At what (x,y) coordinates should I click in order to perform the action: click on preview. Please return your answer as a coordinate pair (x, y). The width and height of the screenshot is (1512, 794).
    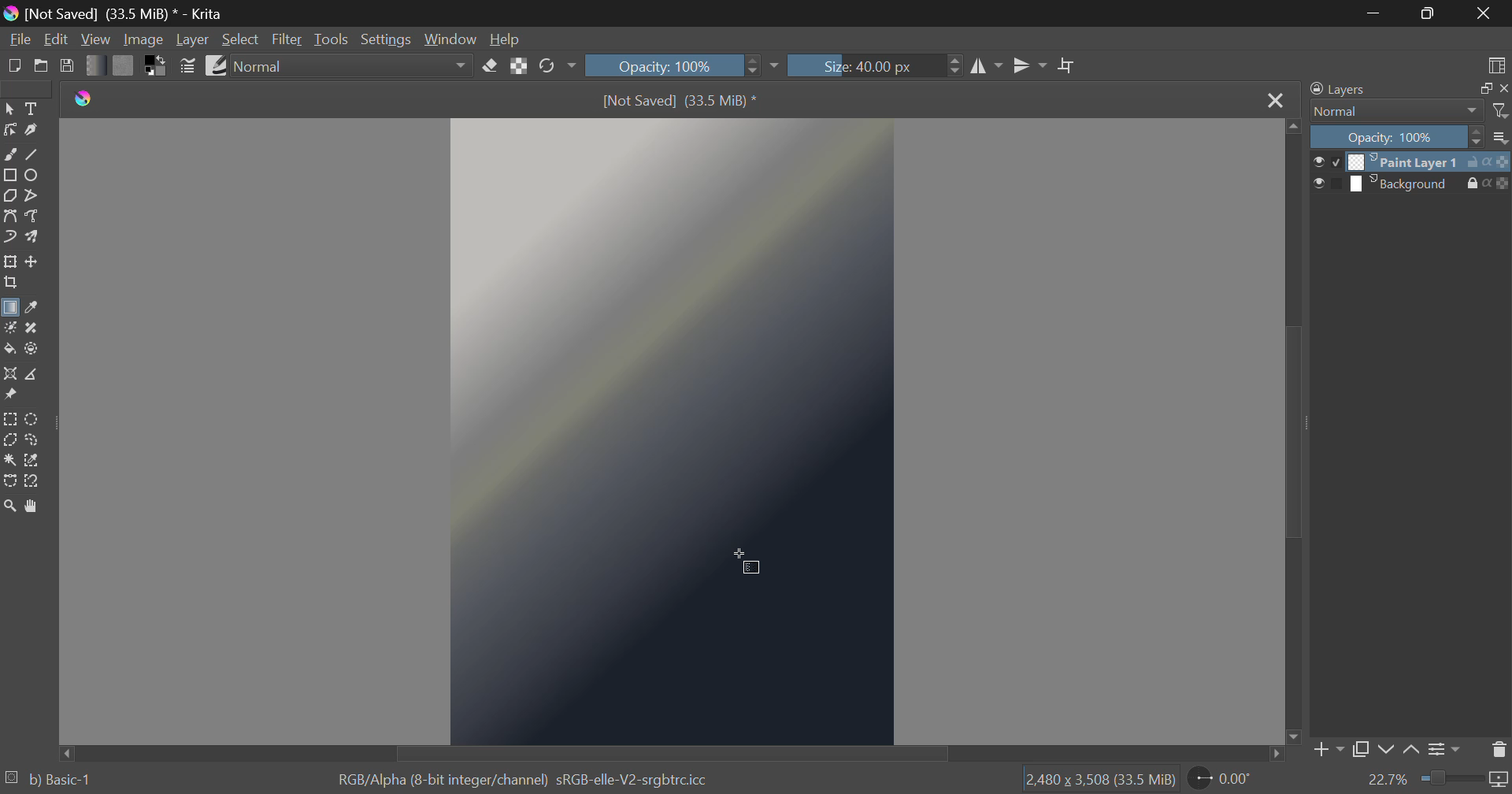
    Looking at the image, I should click on (1328, 161).